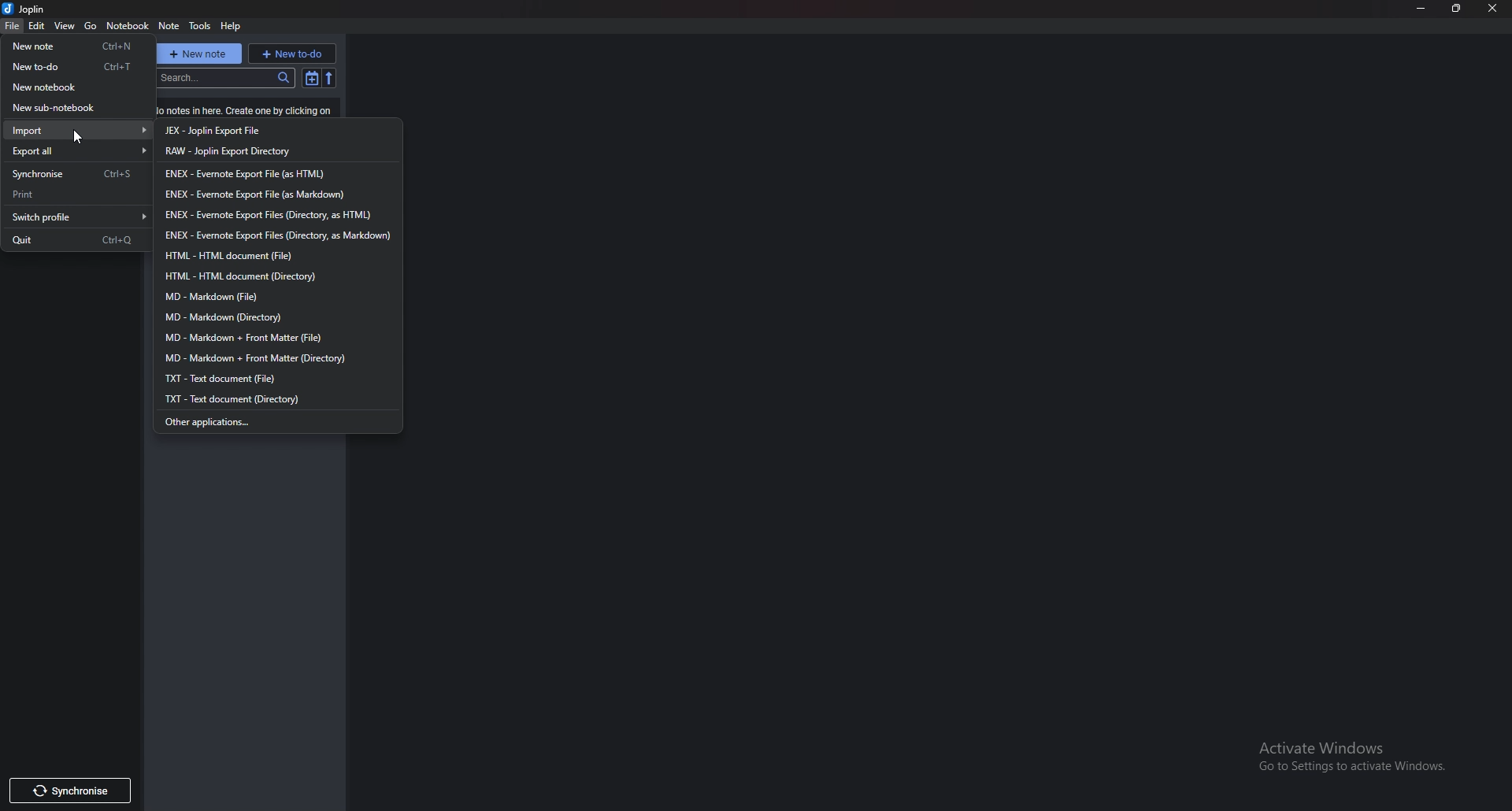 This screenshot has width=1512, height=811. Describe the element at coordinates (226, 80) in the screenshot. I see `search` at that location.